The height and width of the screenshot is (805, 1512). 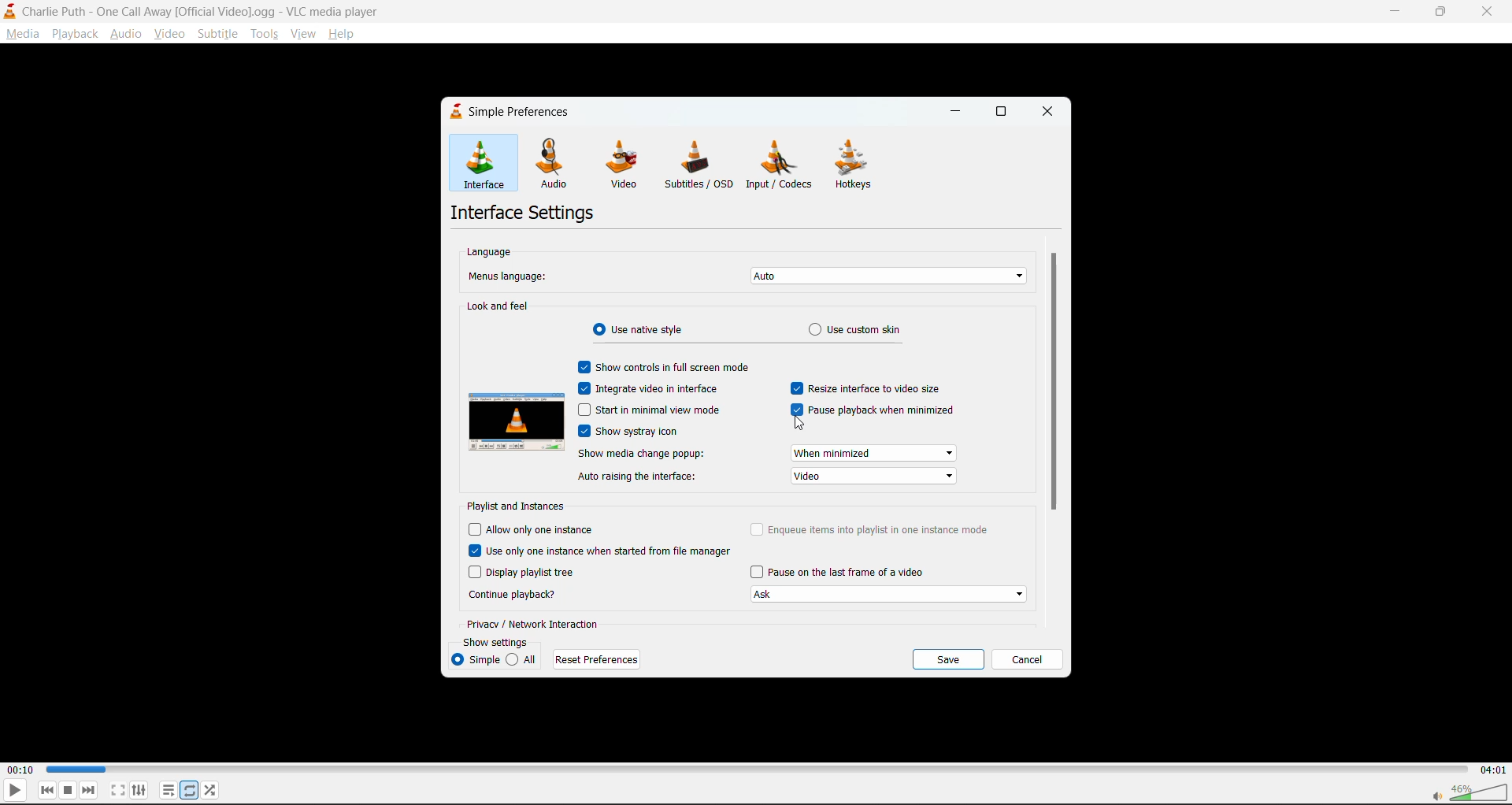 I want to click on show settings, so click(x=496, y=640).